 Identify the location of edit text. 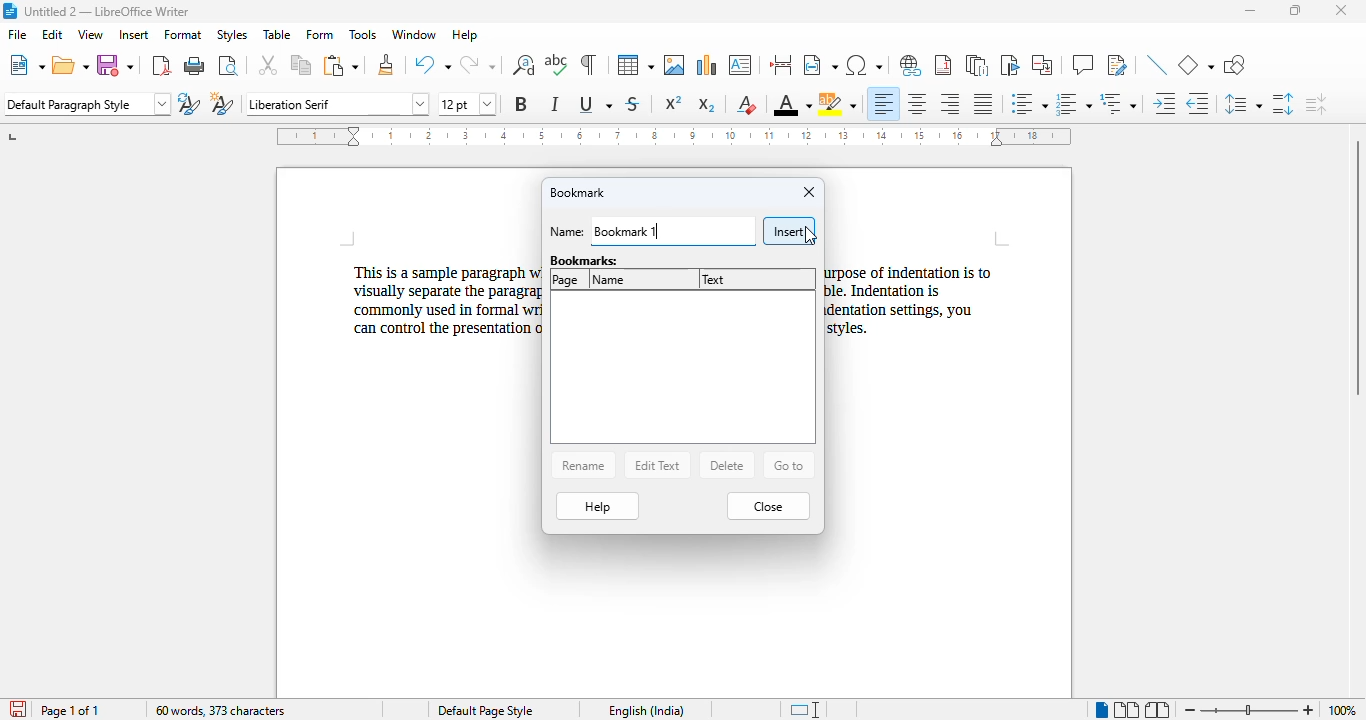
(657, 465).